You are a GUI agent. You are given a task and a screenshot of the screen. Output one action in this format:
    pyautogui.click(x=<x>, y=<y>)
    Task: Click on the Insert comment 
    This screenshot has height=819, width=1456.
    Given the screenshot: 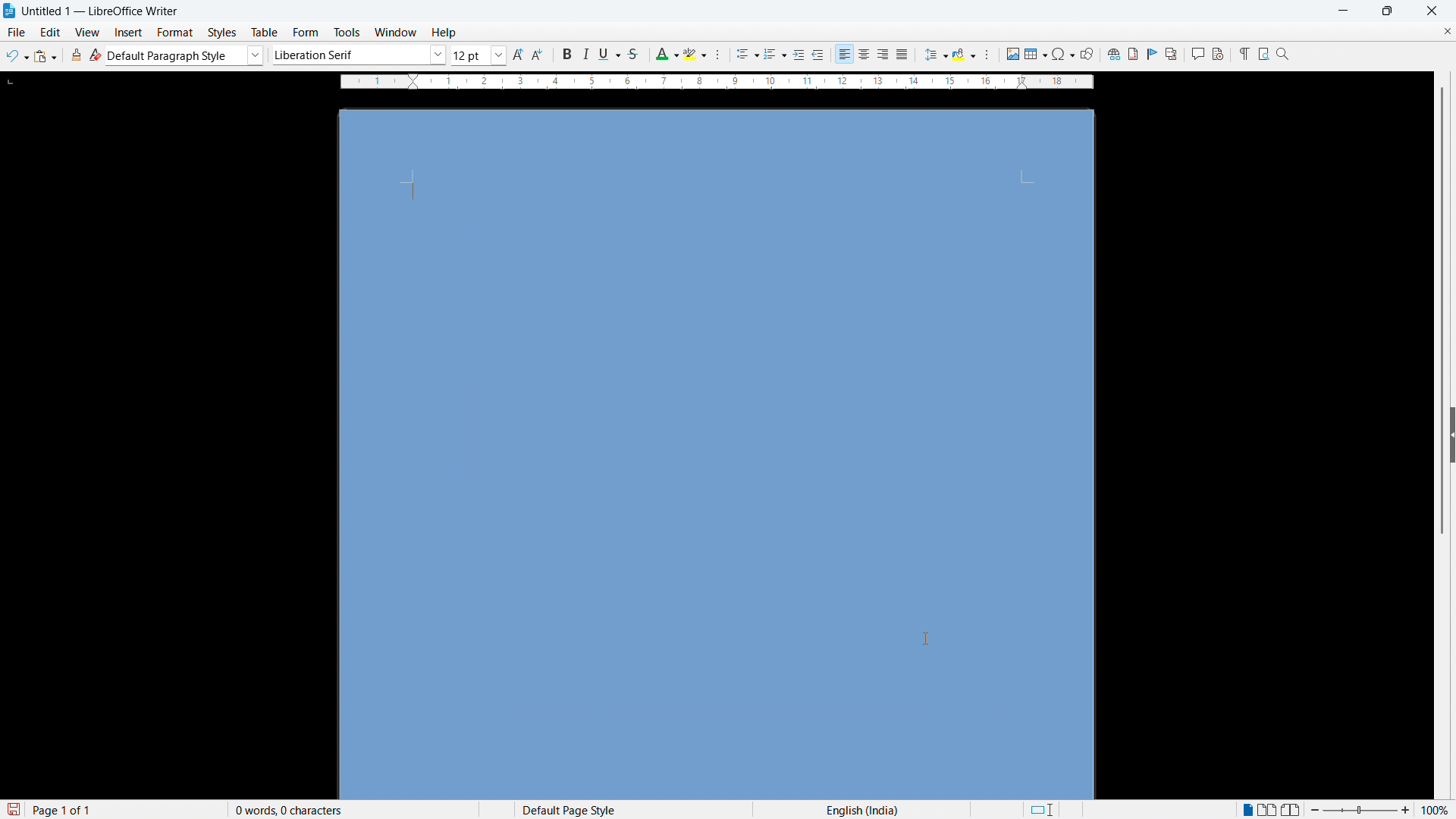 What is the action you would take?
    pyautogui.click(x=1197, y=54)
    